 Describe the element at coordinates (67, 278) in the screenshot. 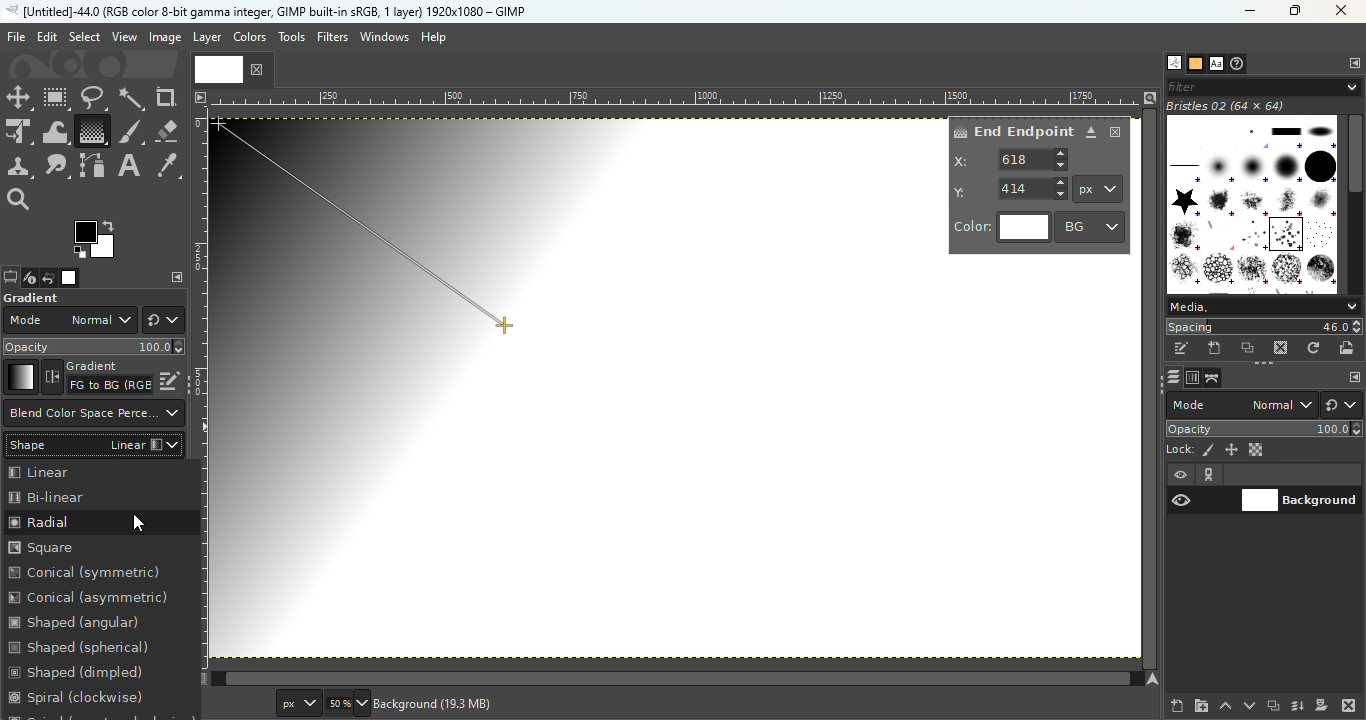

I see `Open the image dialog` at that location.